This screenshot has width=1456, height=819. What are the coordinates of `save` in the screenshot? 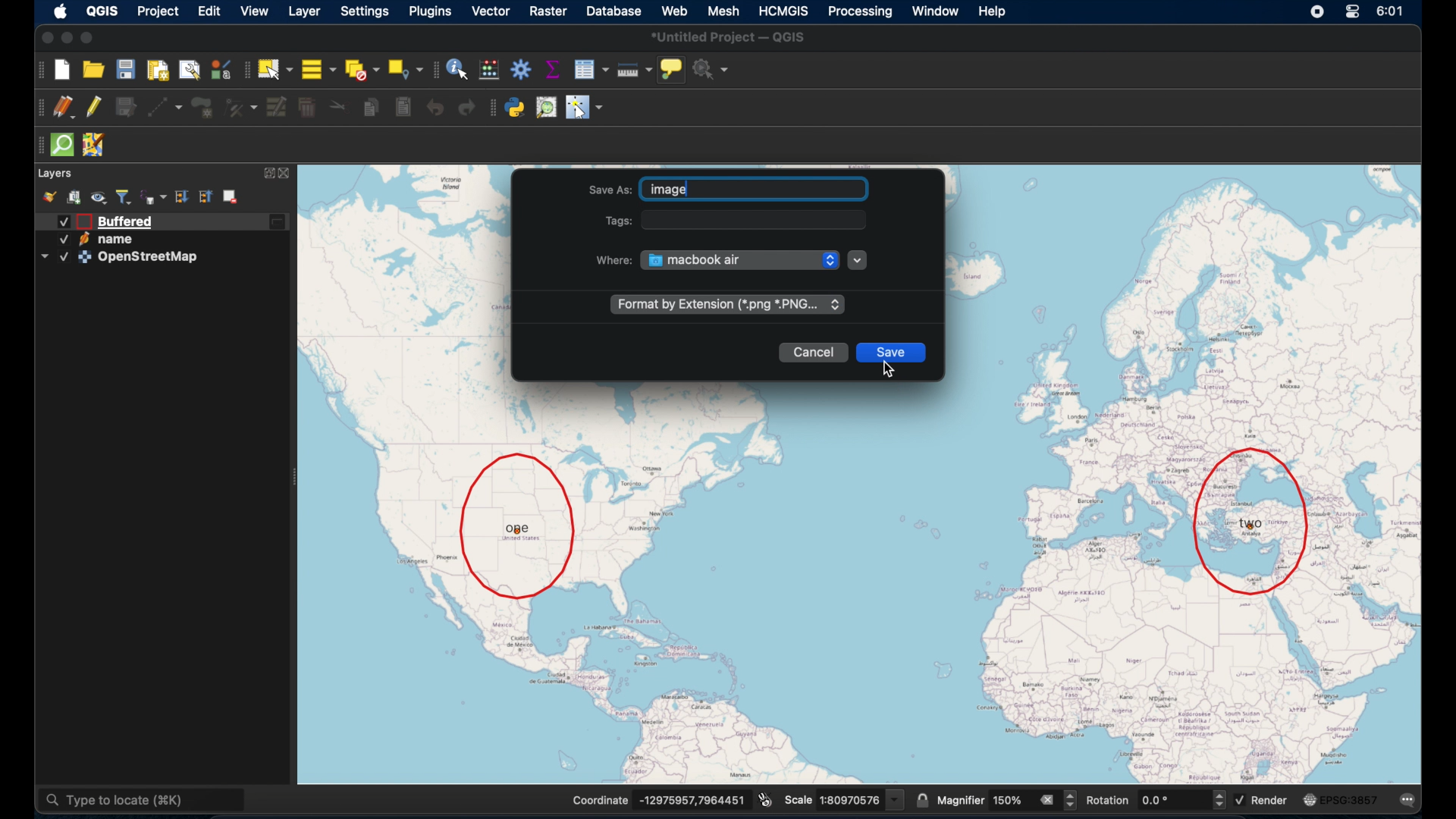 It's located at (897, 355).